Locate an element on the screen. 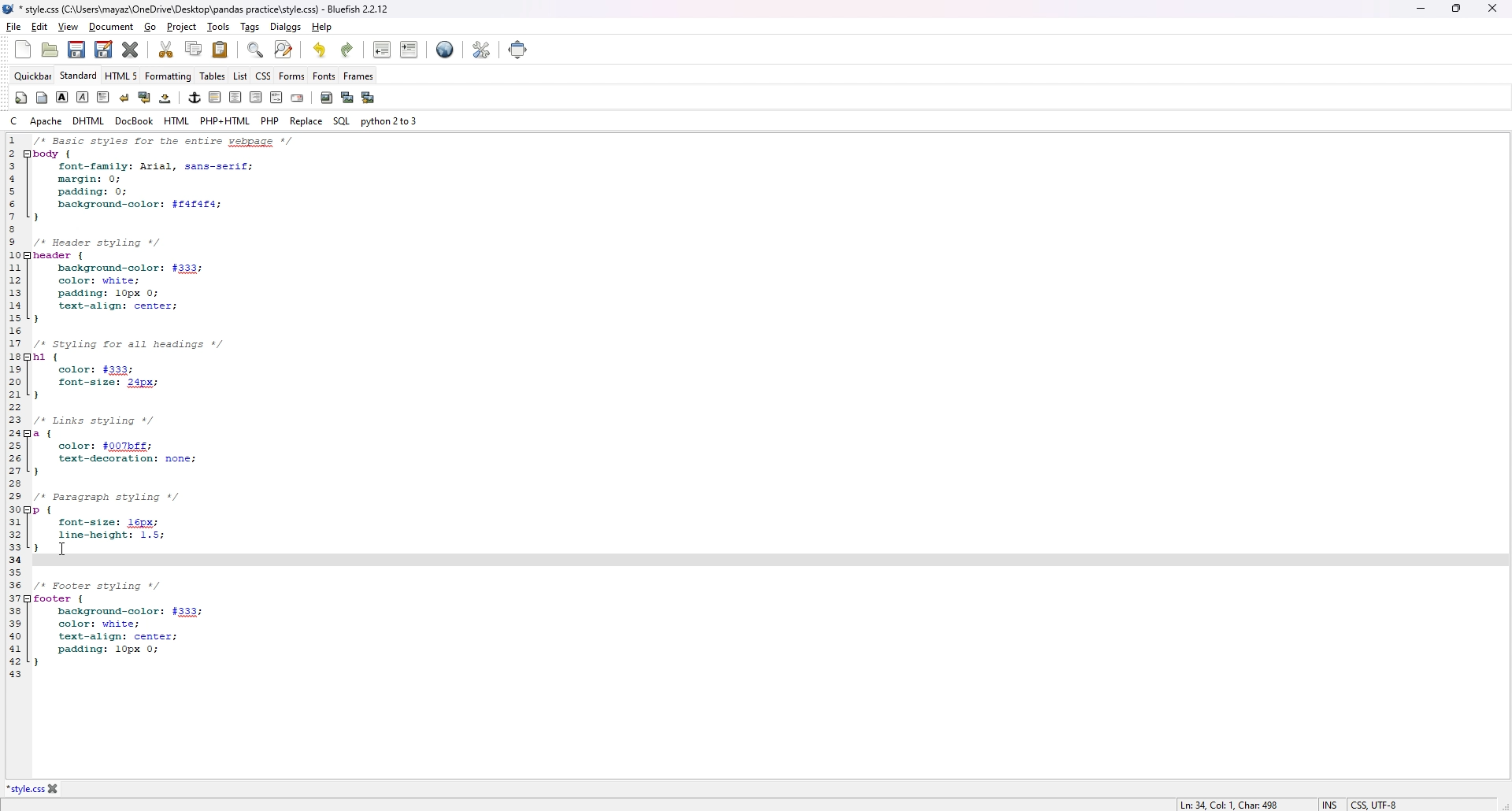  1 /* Basic styles for entire webpage */ 2 body { 3 font-family: Arial, sans-serif; 4 margin: 0; 5 padding: 0; 6 background-color: $f4f4f4; 7} 8 9 /* Header styling */ 10 header { 11 background-color: #333; 12 color: white; 13 padding: 10px 0; 14 text-align: center; 15 } 16 17 /* Styling for all headings */ 18 h1 { 19 color: #333; 20 font-size: 24px; 21 } 22 23 /* Links styling */ 24 a { 25 color: #007bff; 26 text-decoration: none; 27 } 28 29 /* Paragraph styling */ 30 p { 31 font-size: 16px; 32 line-height: 1.5; 33 } is located at coordinates (152, 342).